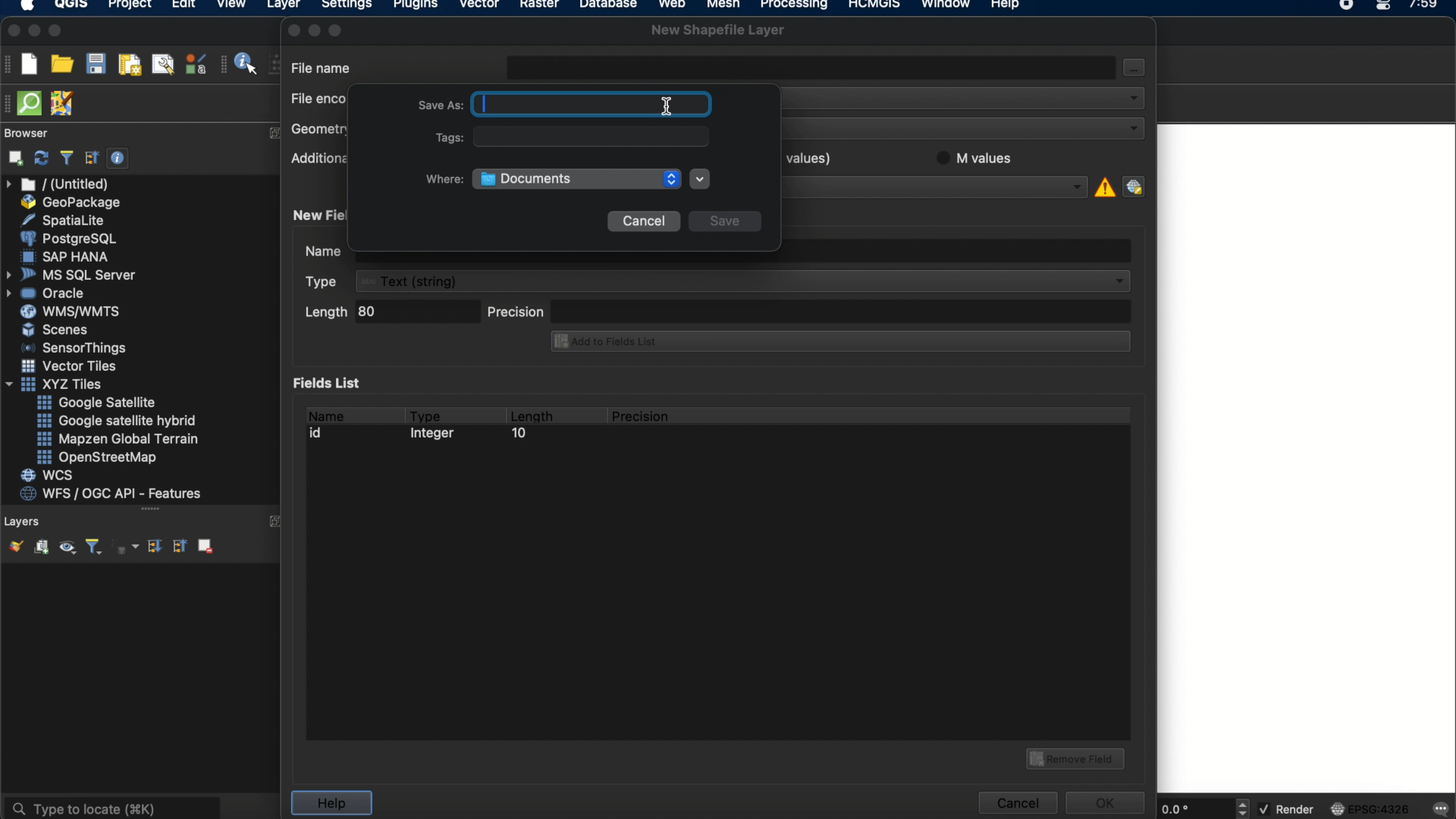 Image resolution: width=1456 pixels, height=819 pixels. I want to click on integer, so click(436, 435).